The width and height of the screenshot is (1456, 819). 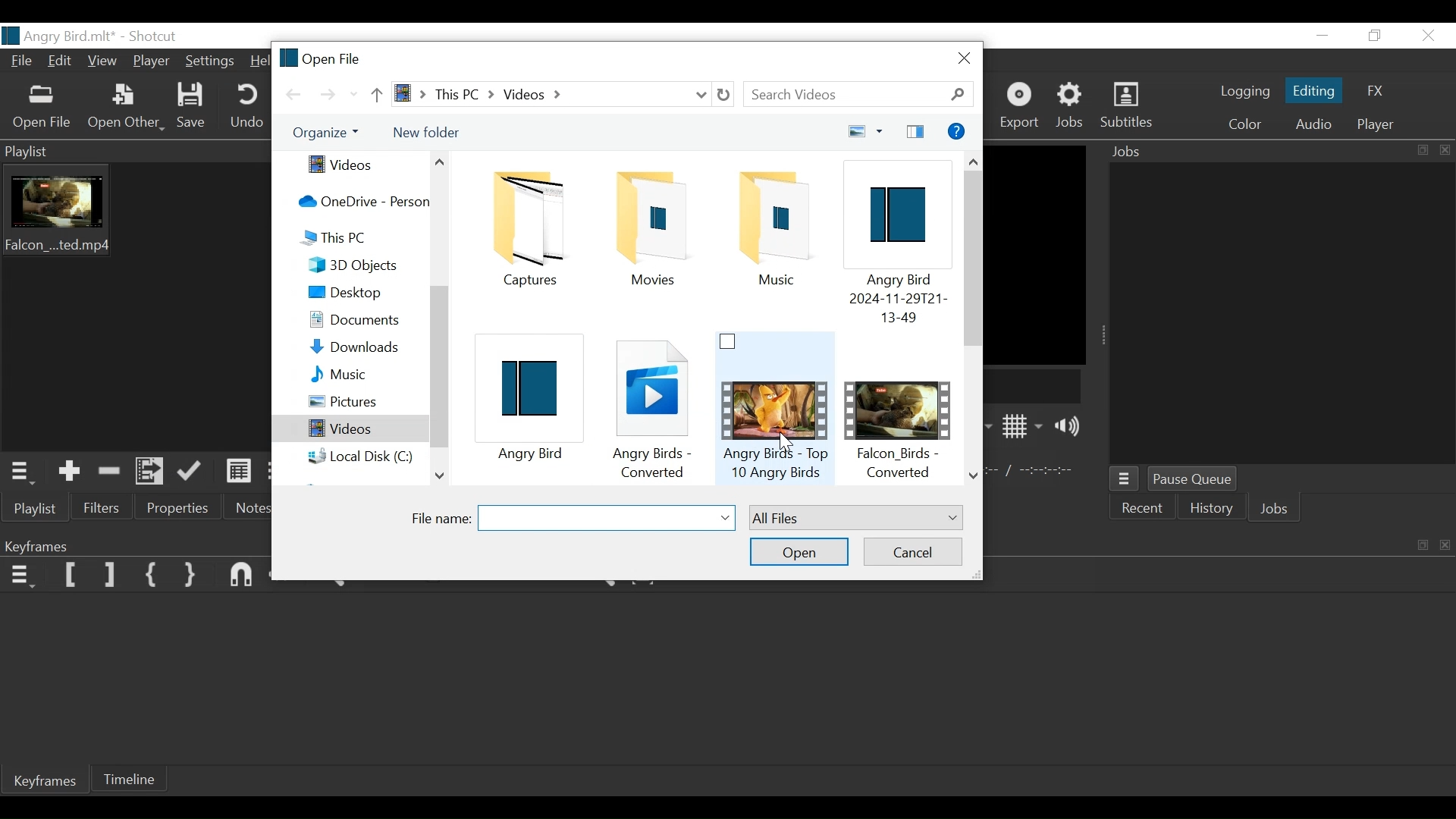 What do you see at coordinates (376, 94) in the screenshot?
I see `Go Up` at bounding box center [376, 94].